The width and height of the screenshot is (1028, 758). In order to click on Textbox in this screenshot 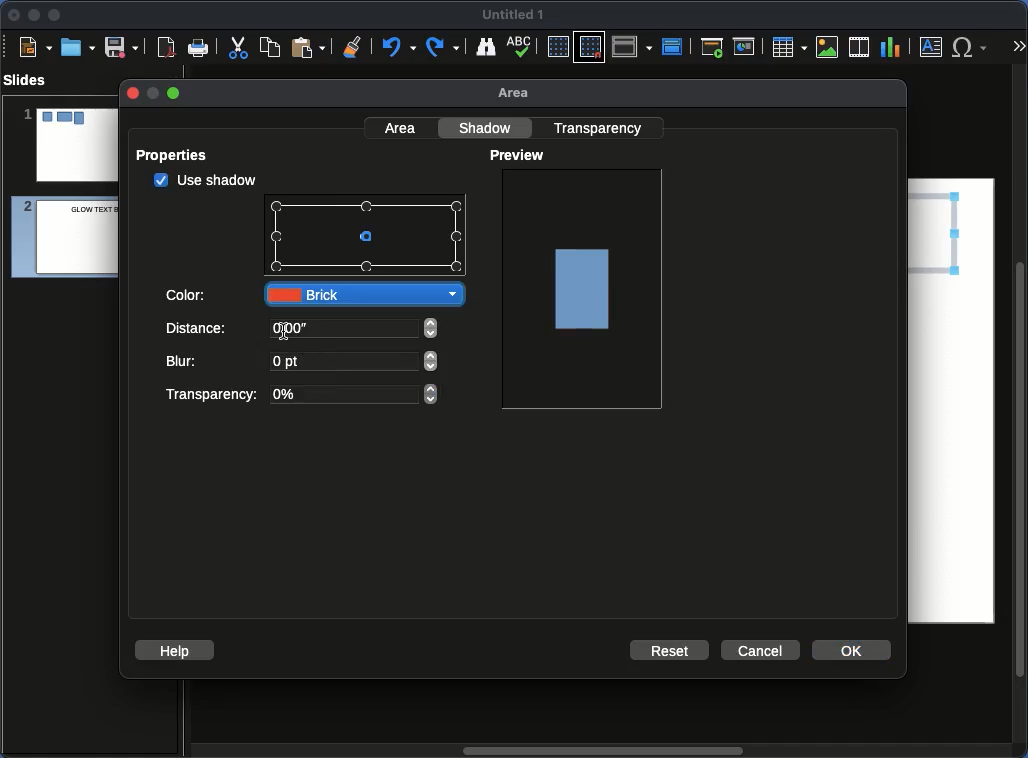, I will do `click(932, 46)`.